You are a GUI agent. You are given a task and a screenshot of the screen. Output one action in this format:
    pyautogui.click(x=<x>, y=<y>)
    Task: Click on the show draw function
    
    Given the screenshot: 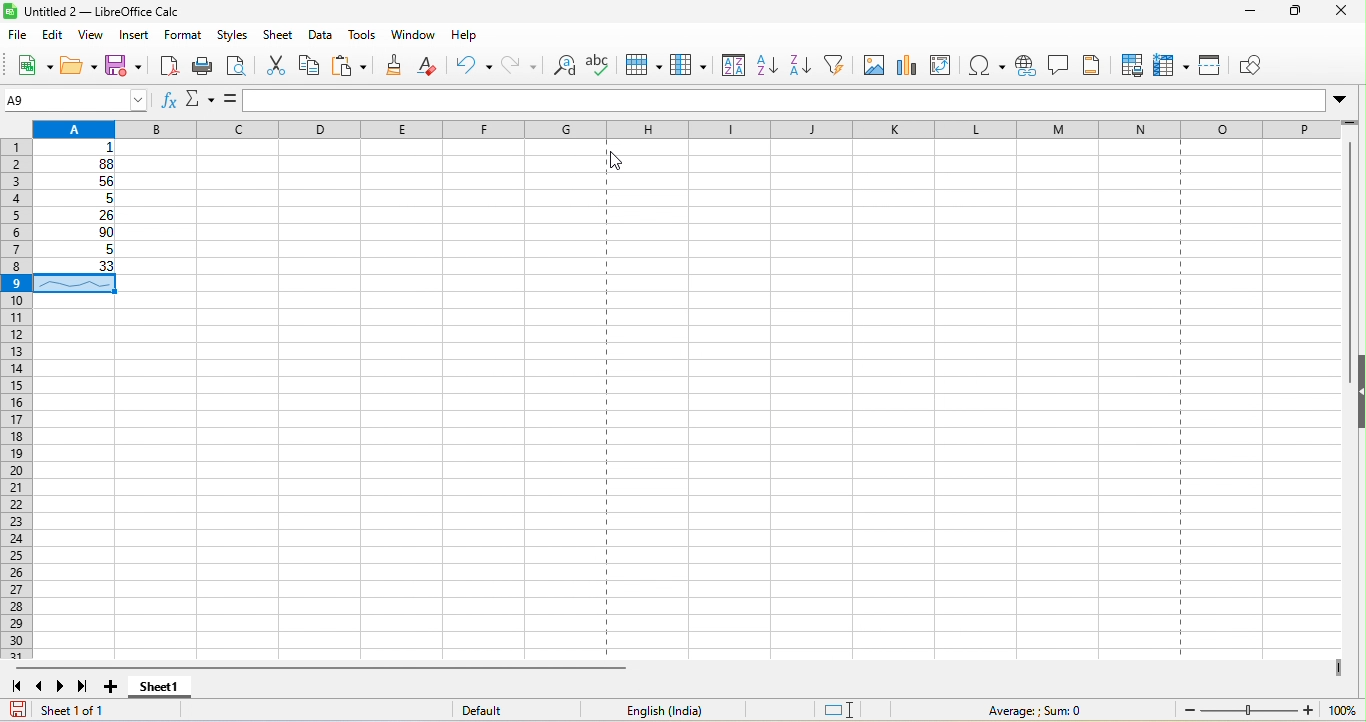 What is the action you would take?
    pyautogui.click(x=1255, y=67)
    